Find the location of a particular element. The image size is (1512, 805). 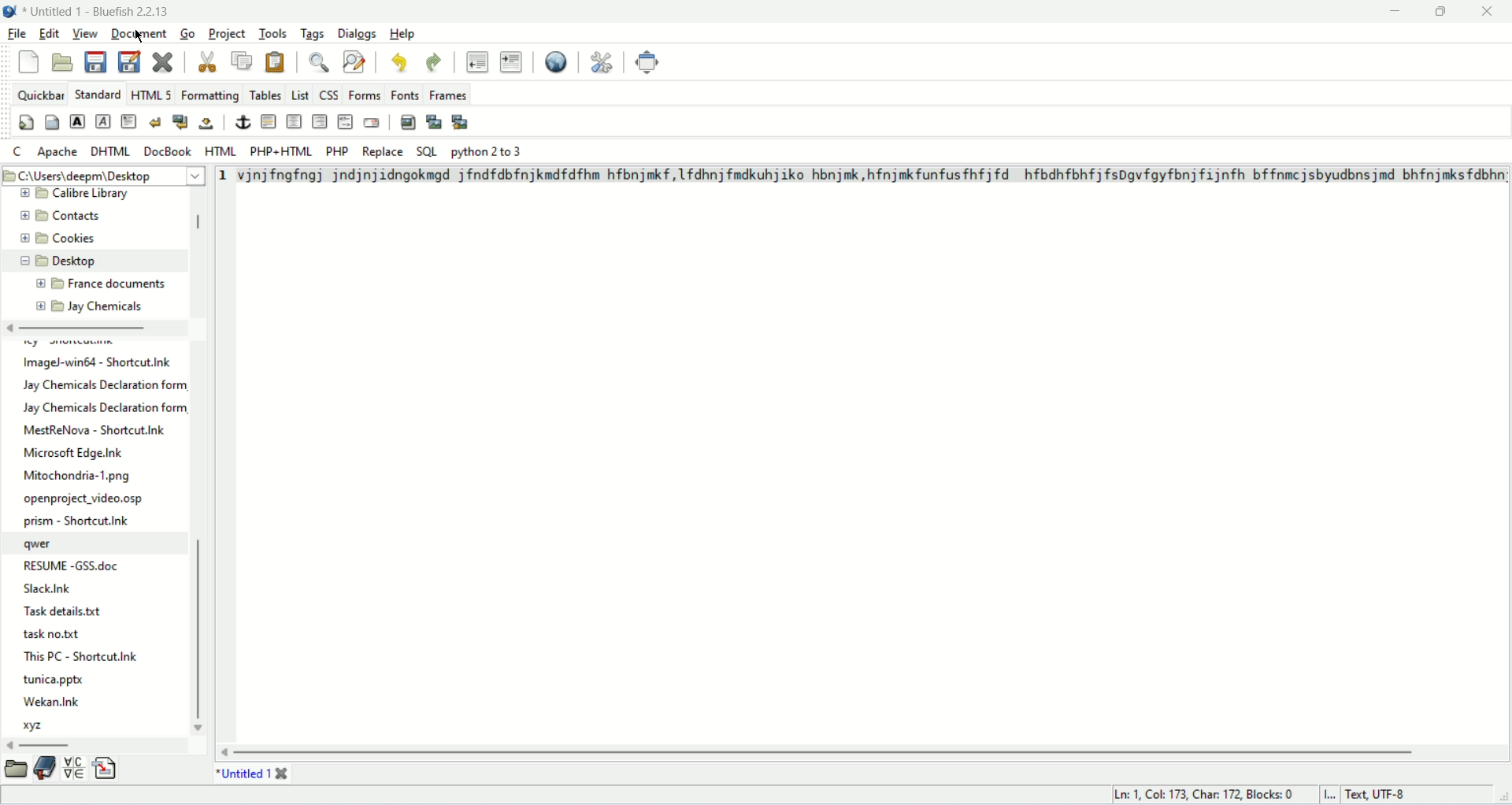

horizontal rule is located at coordinates (269, 121).